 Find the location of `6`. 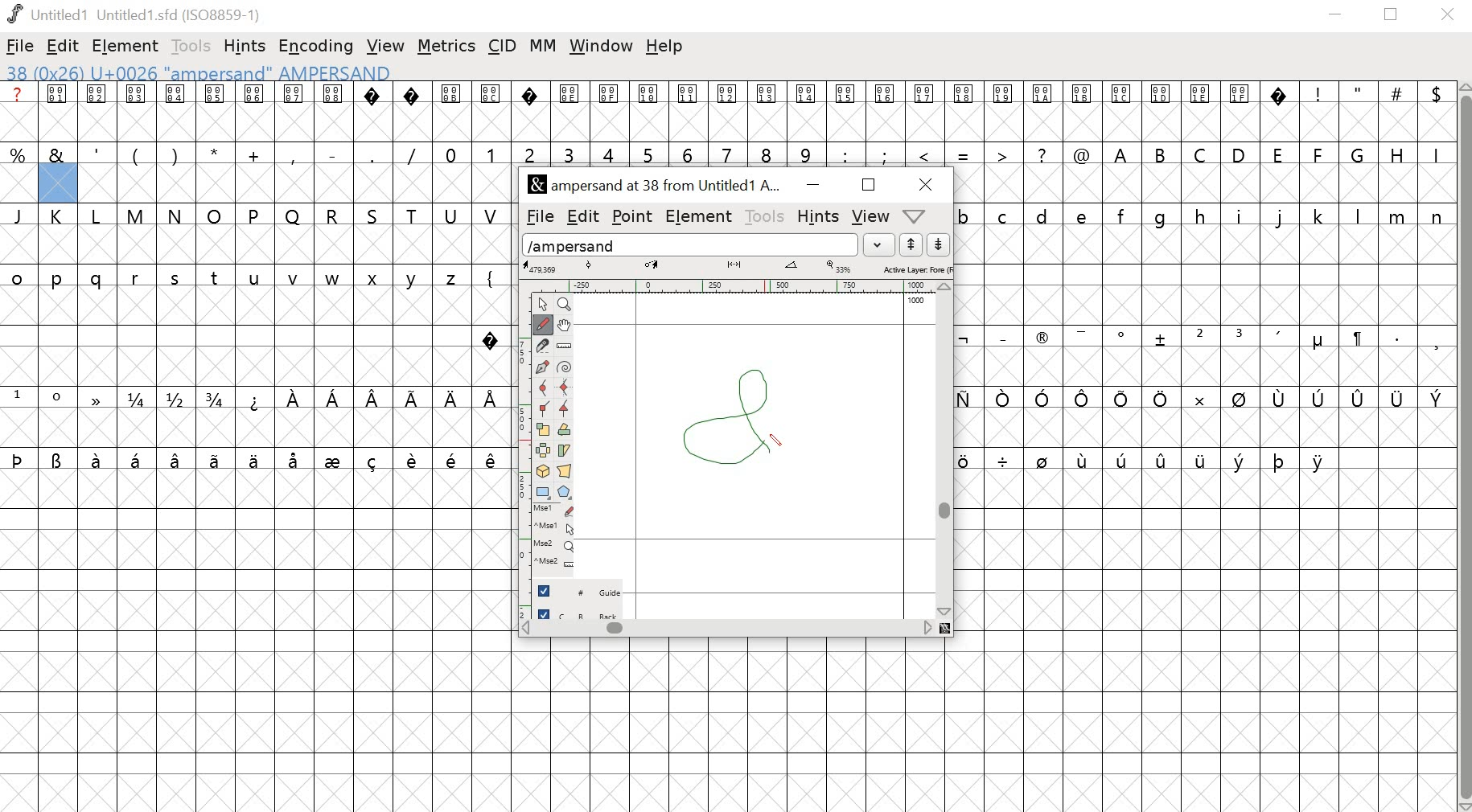

6 is located at coordinates (691, 153).